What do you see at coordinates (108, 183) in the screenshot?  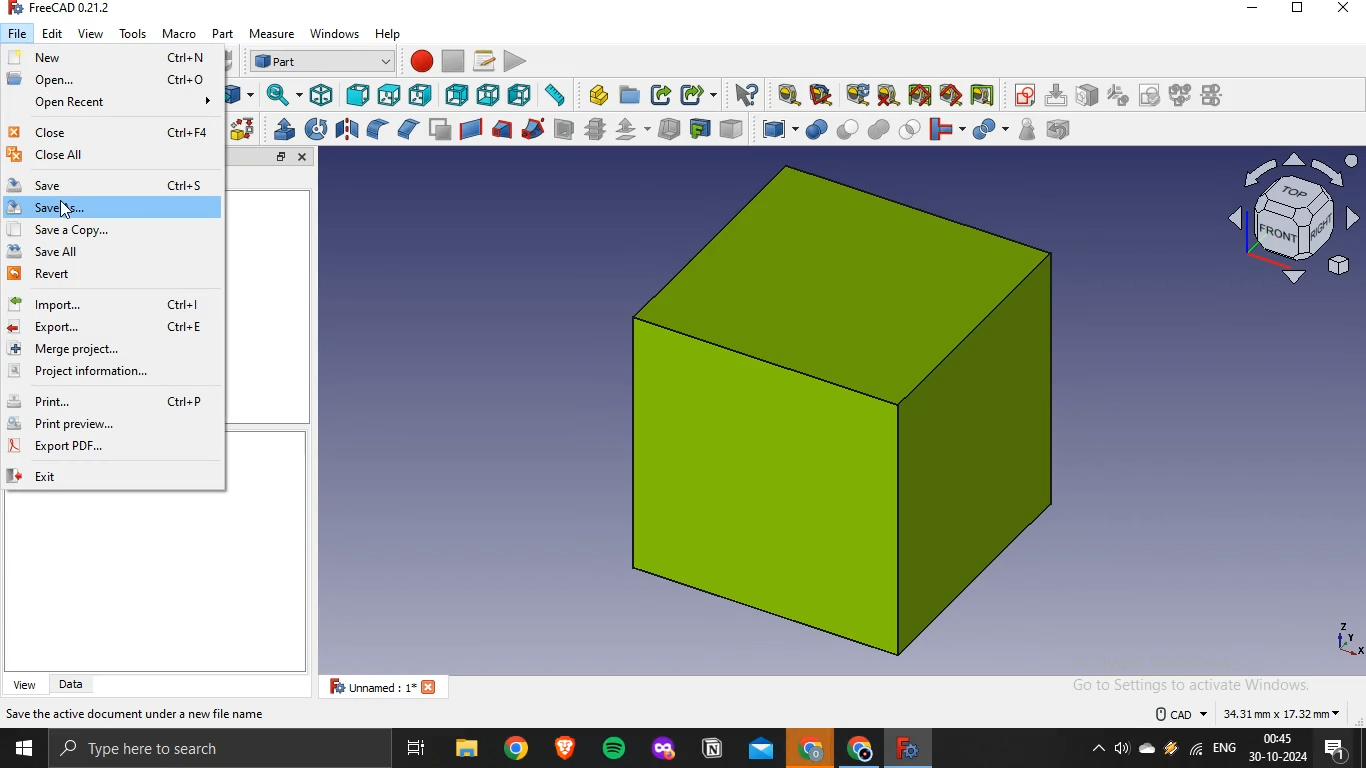 I see `ave` at bounding box center [108, 183].